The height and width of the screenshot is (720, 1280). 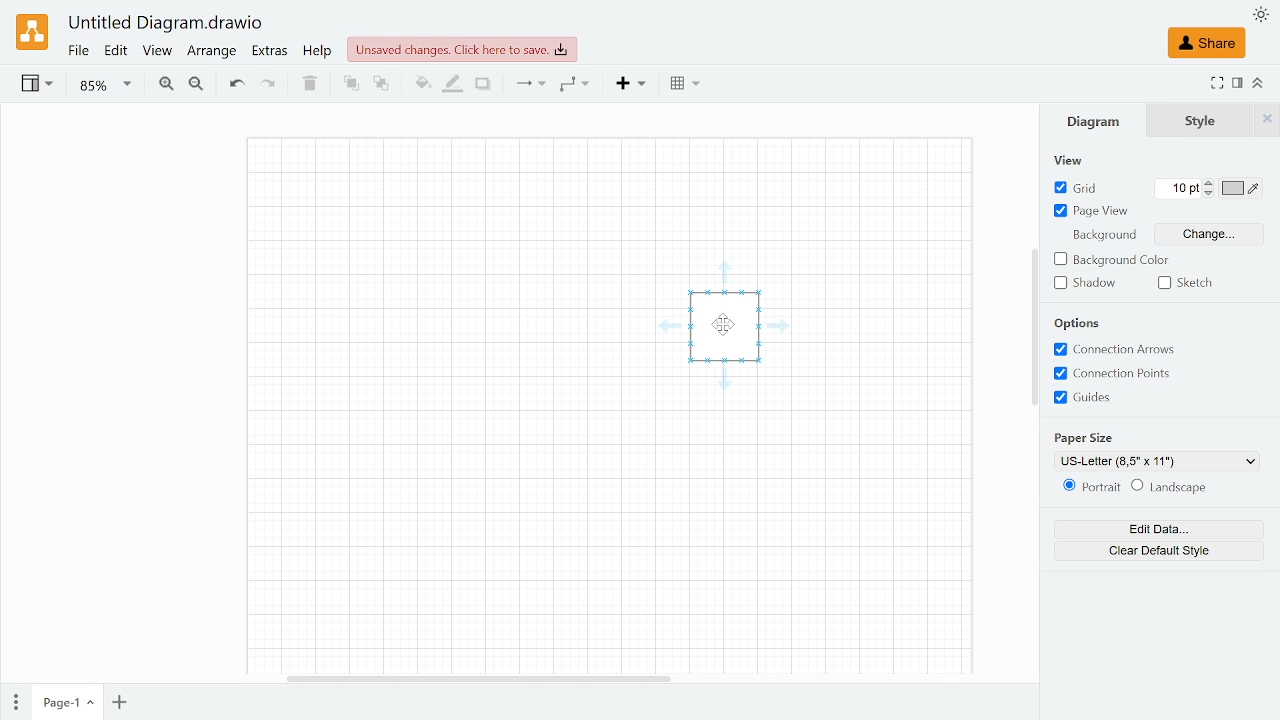 I want to click on Pages, so click(x=14, y=703).